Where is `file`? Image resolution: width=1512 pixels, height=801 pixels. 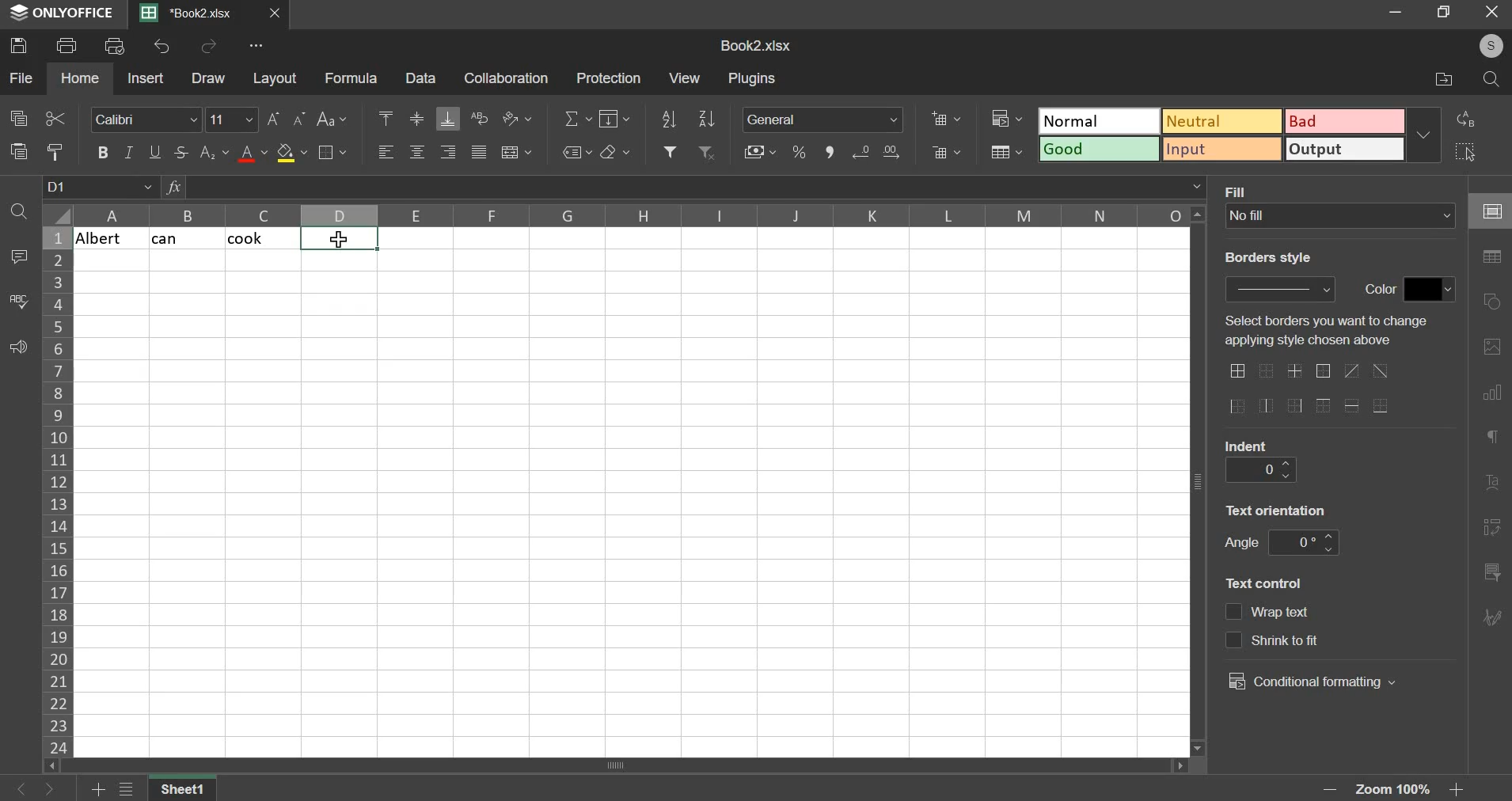 file is located at coordinates (21, 77).